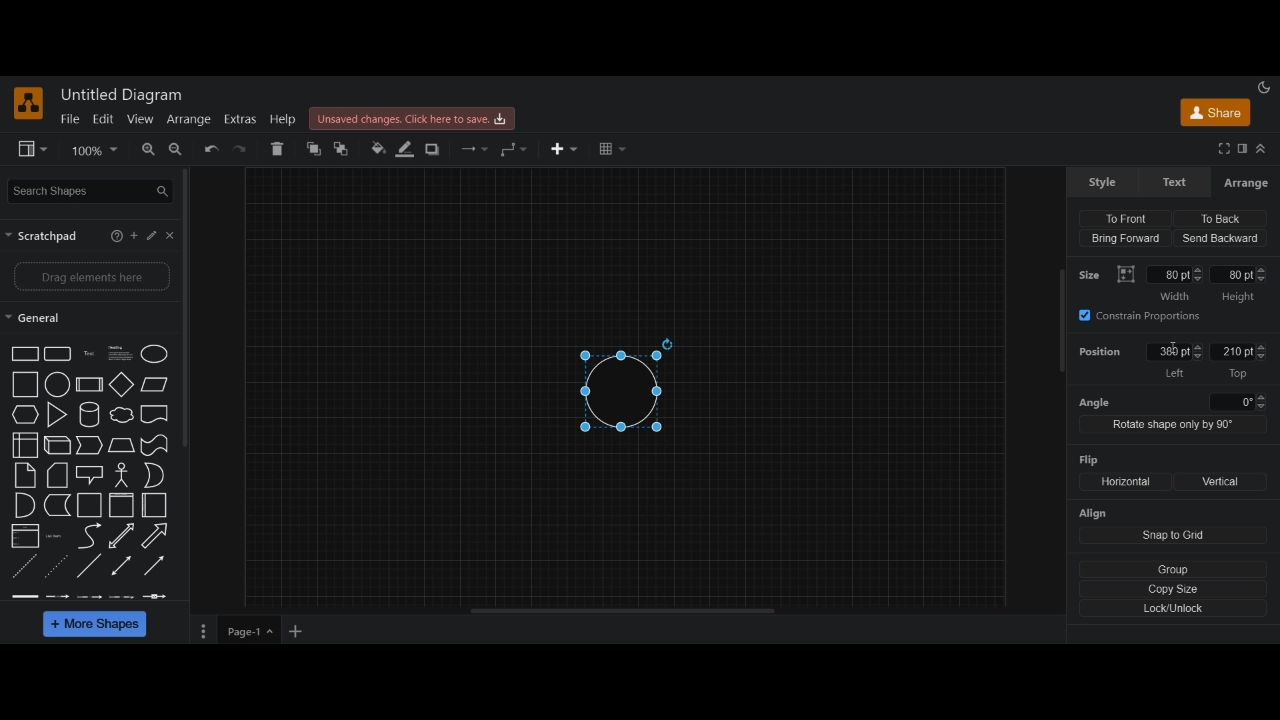  What do you see at coordinates (34, 320) in the screenshot?
I see `general` at bounding box center [34, 320].